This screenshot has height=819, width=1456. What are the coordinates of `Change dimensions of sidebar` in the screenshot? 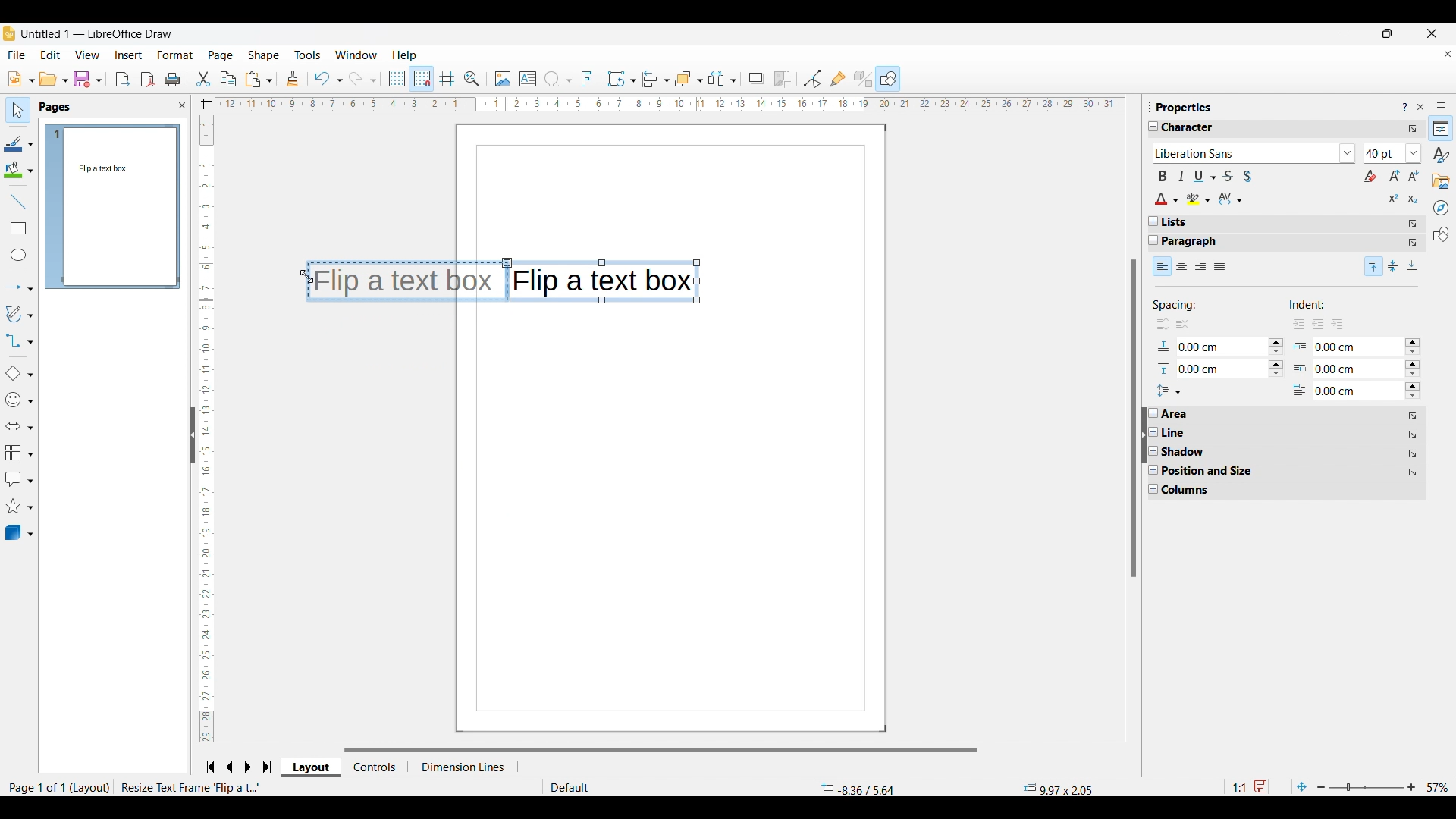 It's located at (1150, 106).